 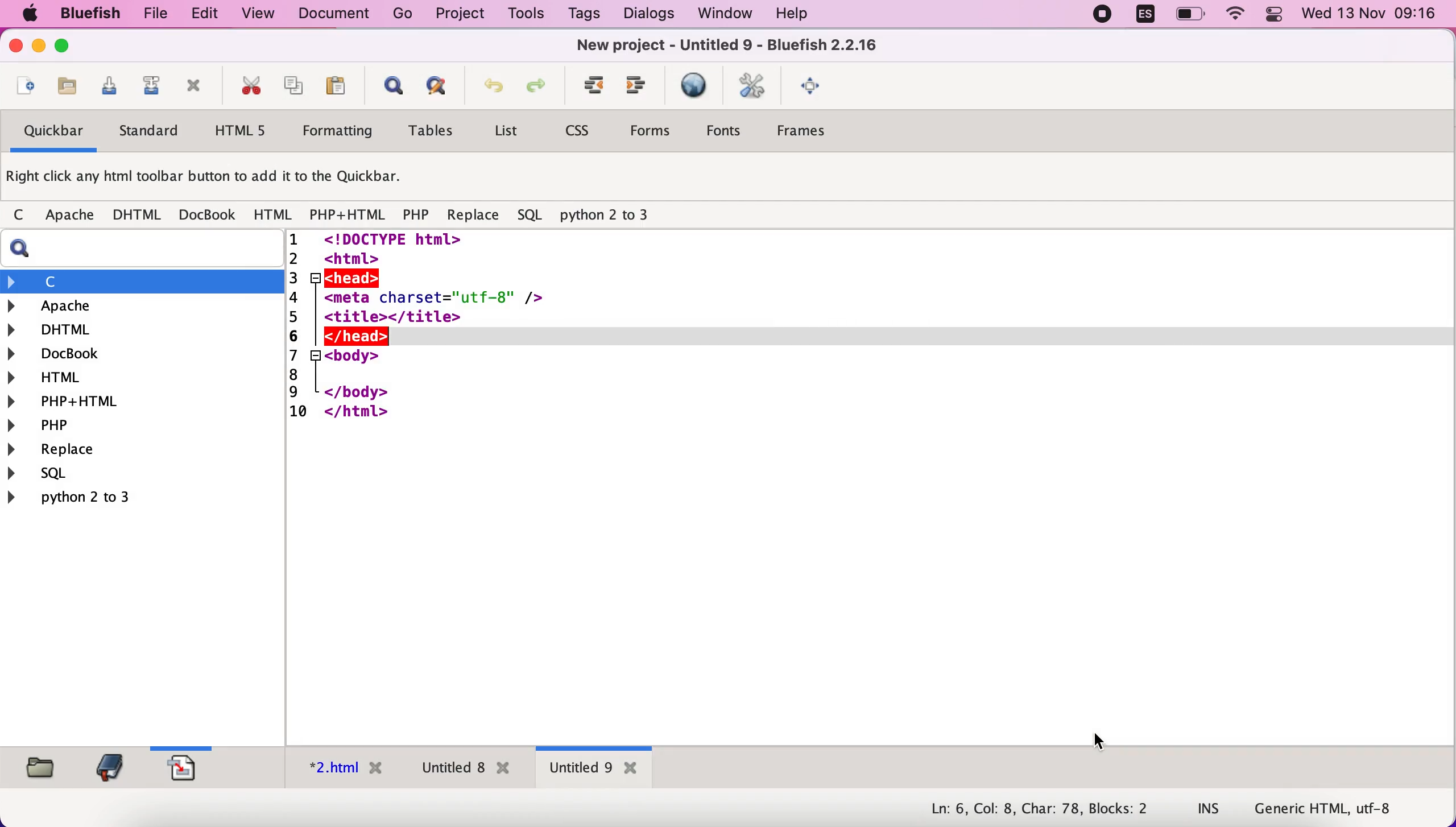 I want to click on indent, so click(x=636, y=89).